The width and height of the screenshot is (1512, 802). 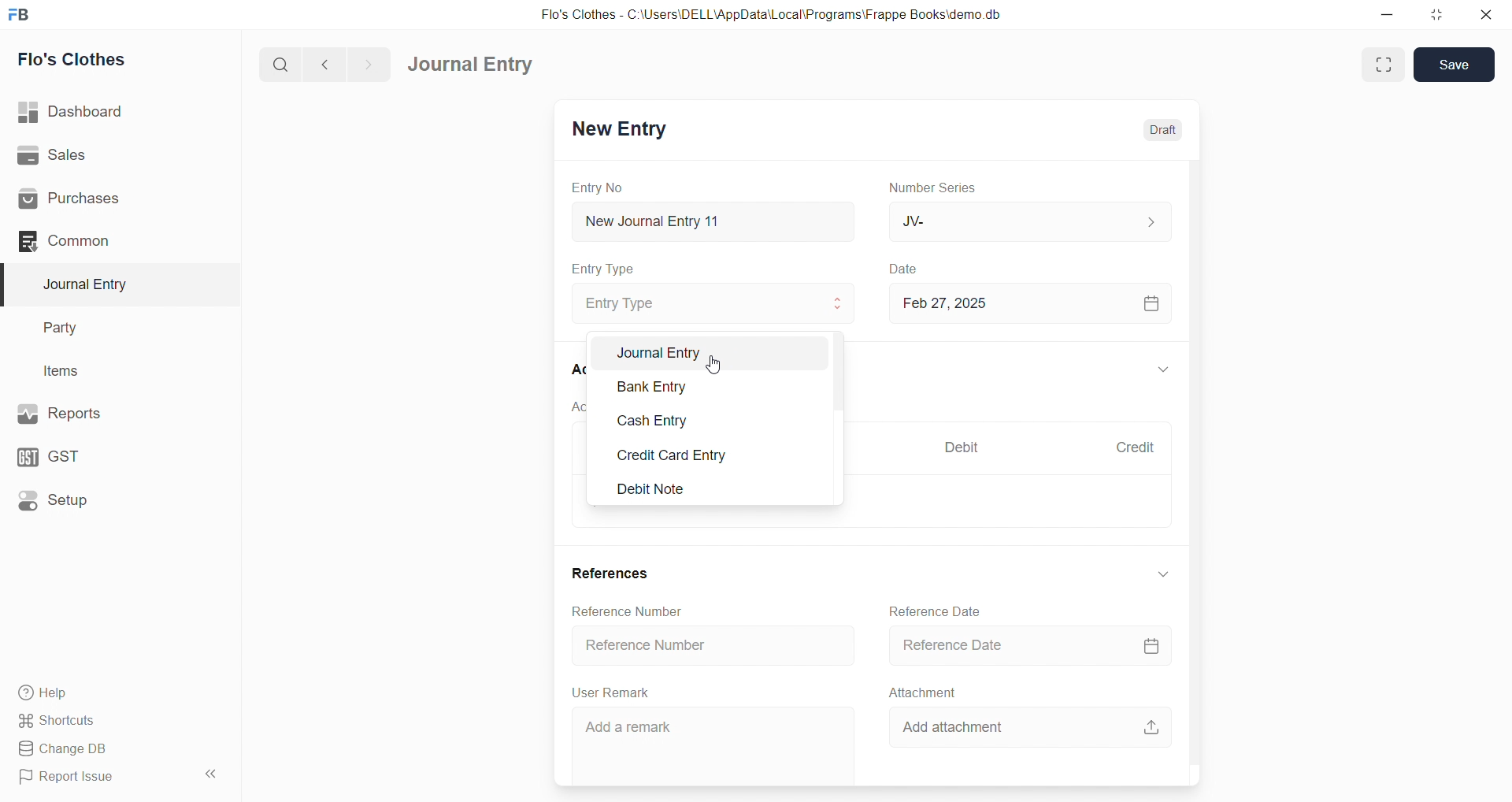 I want to click on Date, so click(x=908, y=269).